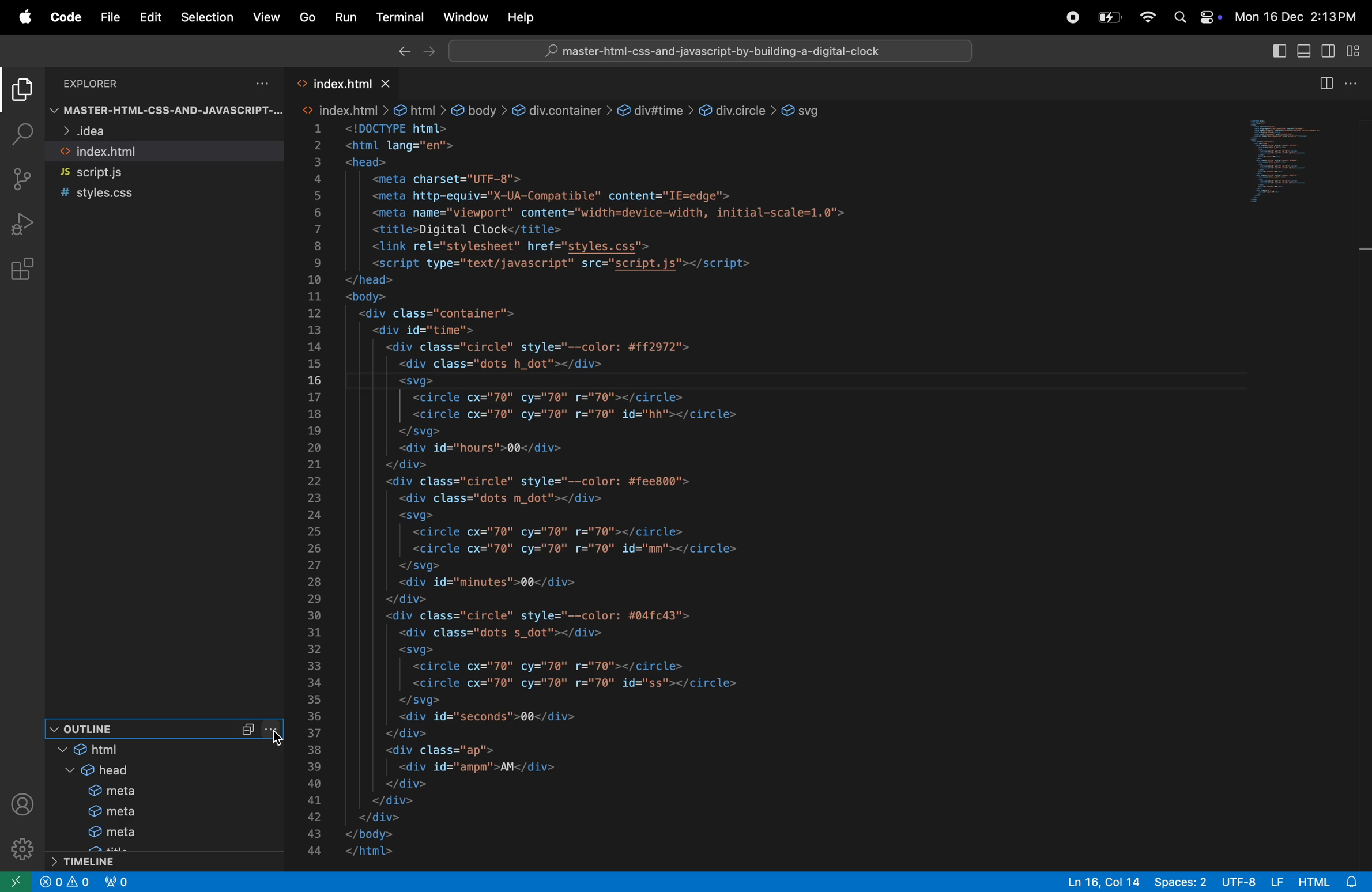 The height and width of the screenshot is (892, 1372). What do you see at coordinates (480, 112) in the screenshot?
I see `body` at bounding box center [480, 112].